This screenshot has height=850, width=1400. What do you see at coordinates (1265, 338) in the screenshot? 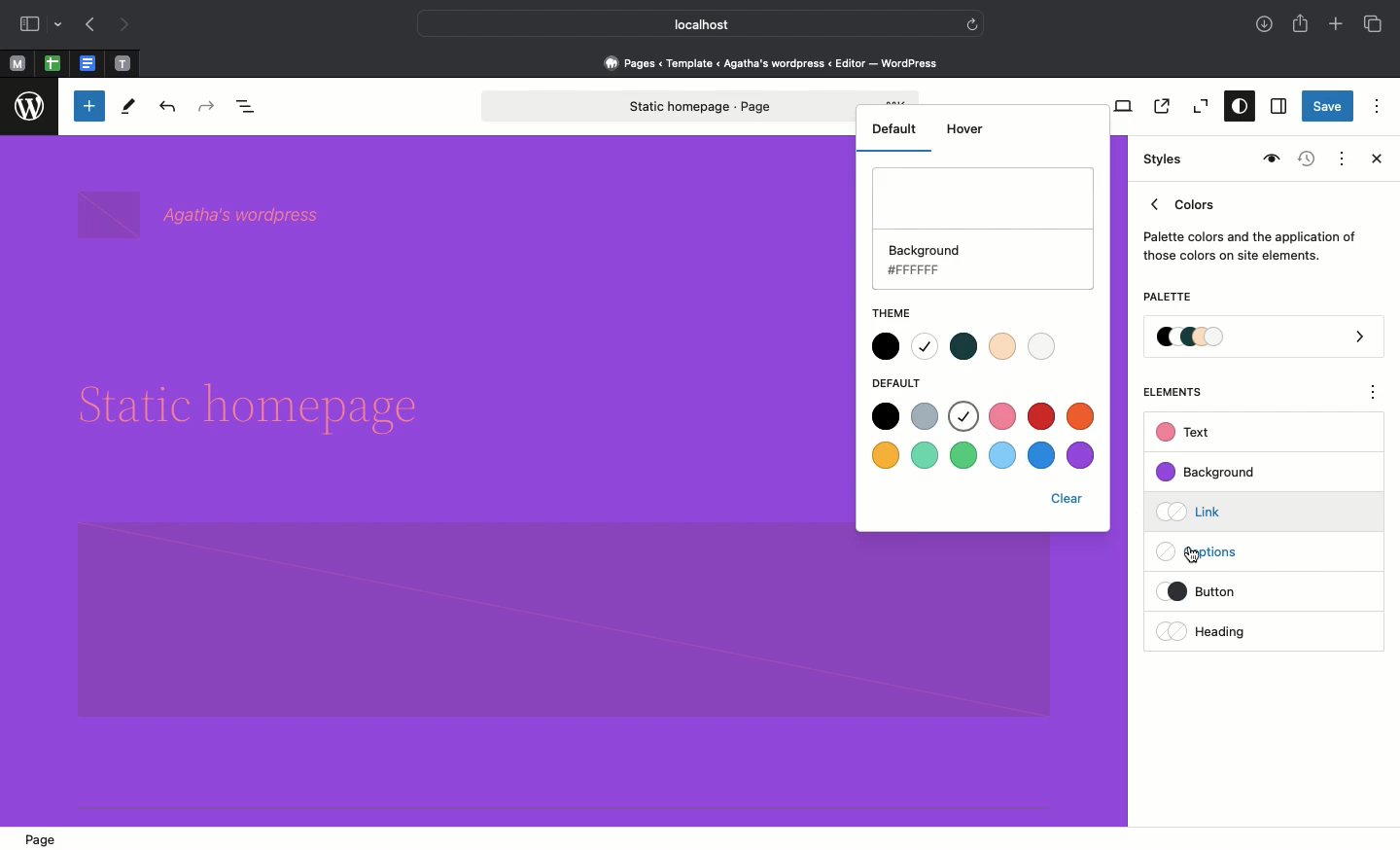
I see `Palette` at bounding box center [1265, 338].